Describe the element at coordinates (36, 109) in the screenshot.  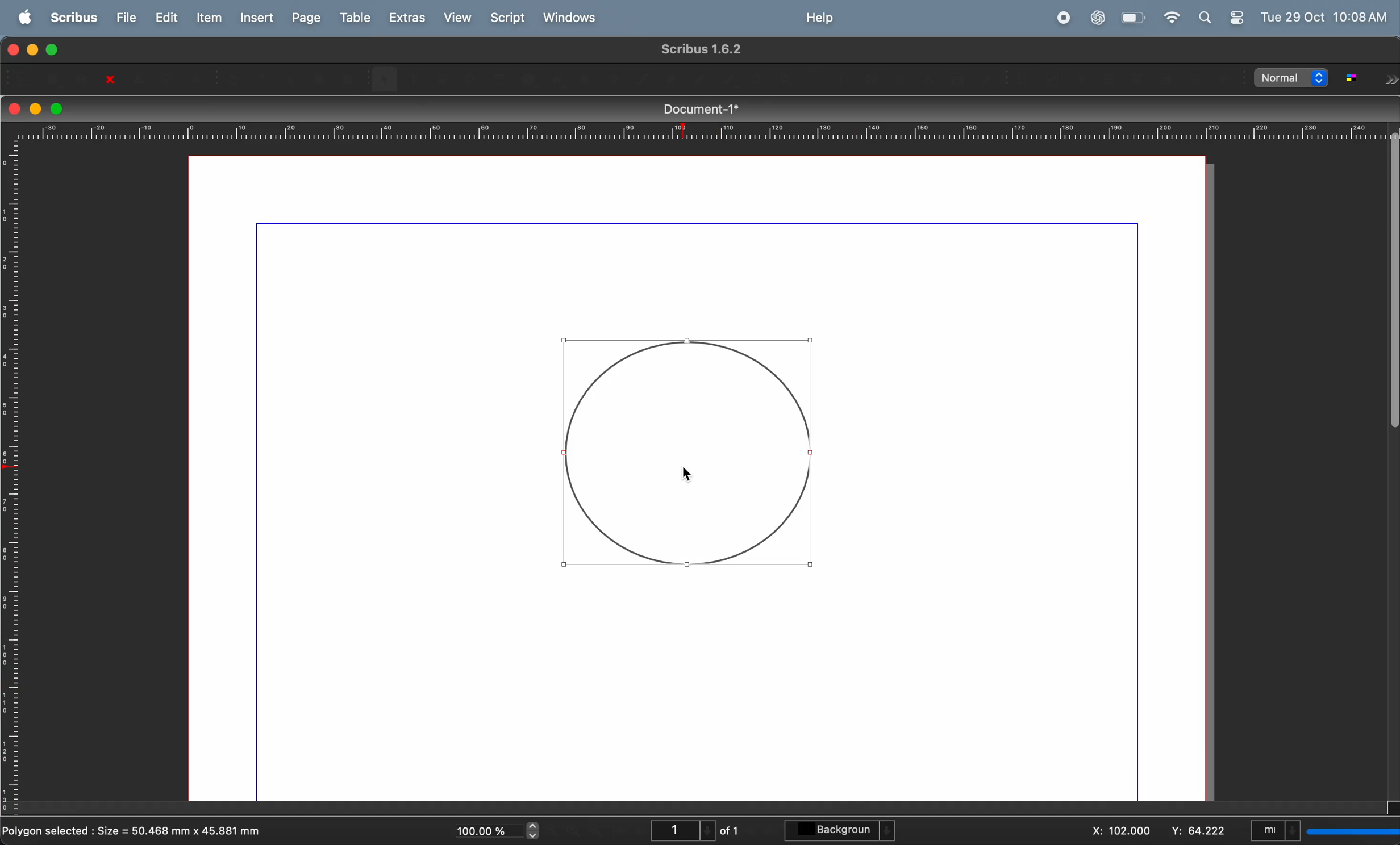
I see `minimize` at that location.